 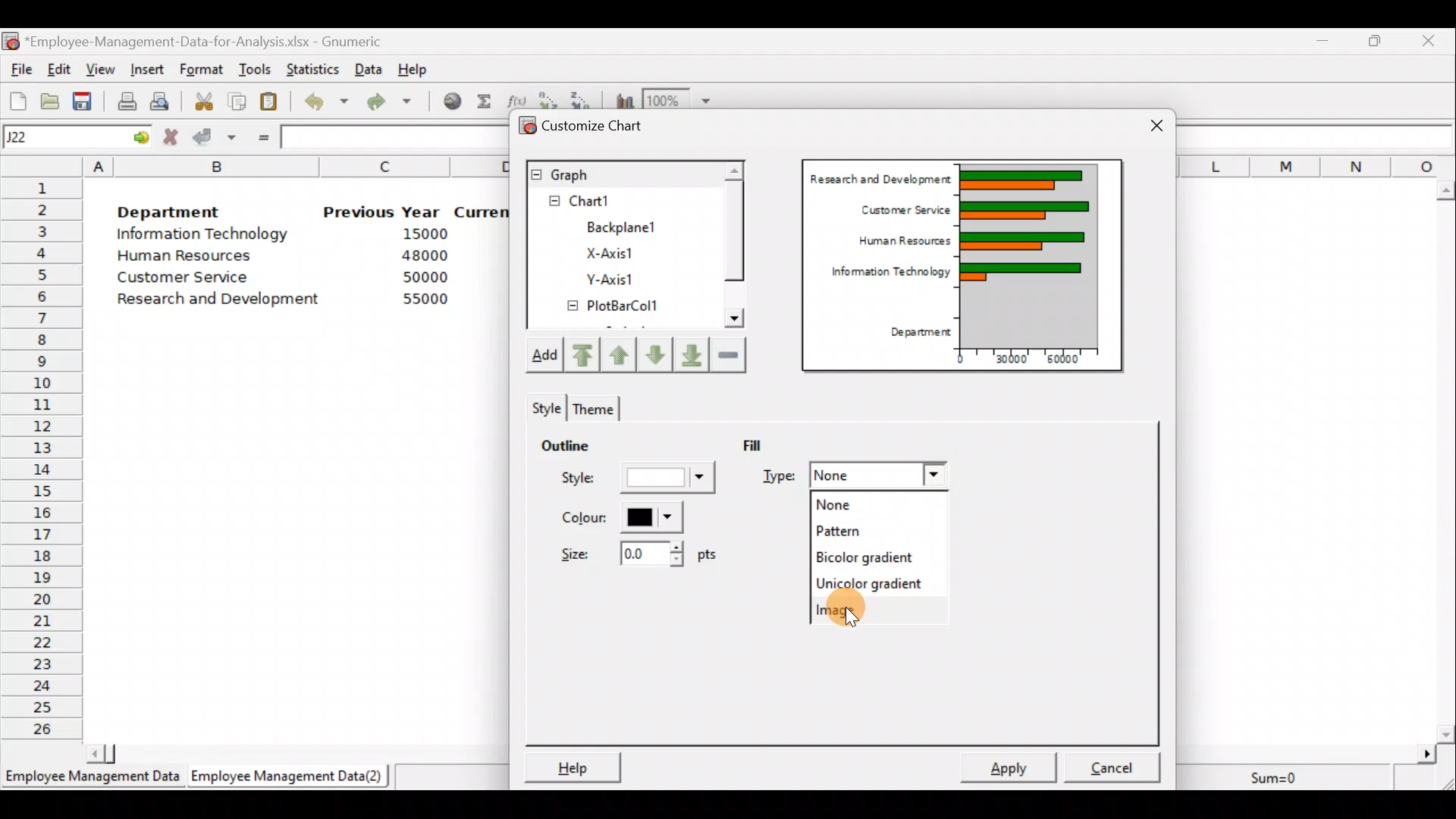 What do you see at coordinates (161, 101) in the screenshot?
I see `Print preview` at bounding box center [161, 101].